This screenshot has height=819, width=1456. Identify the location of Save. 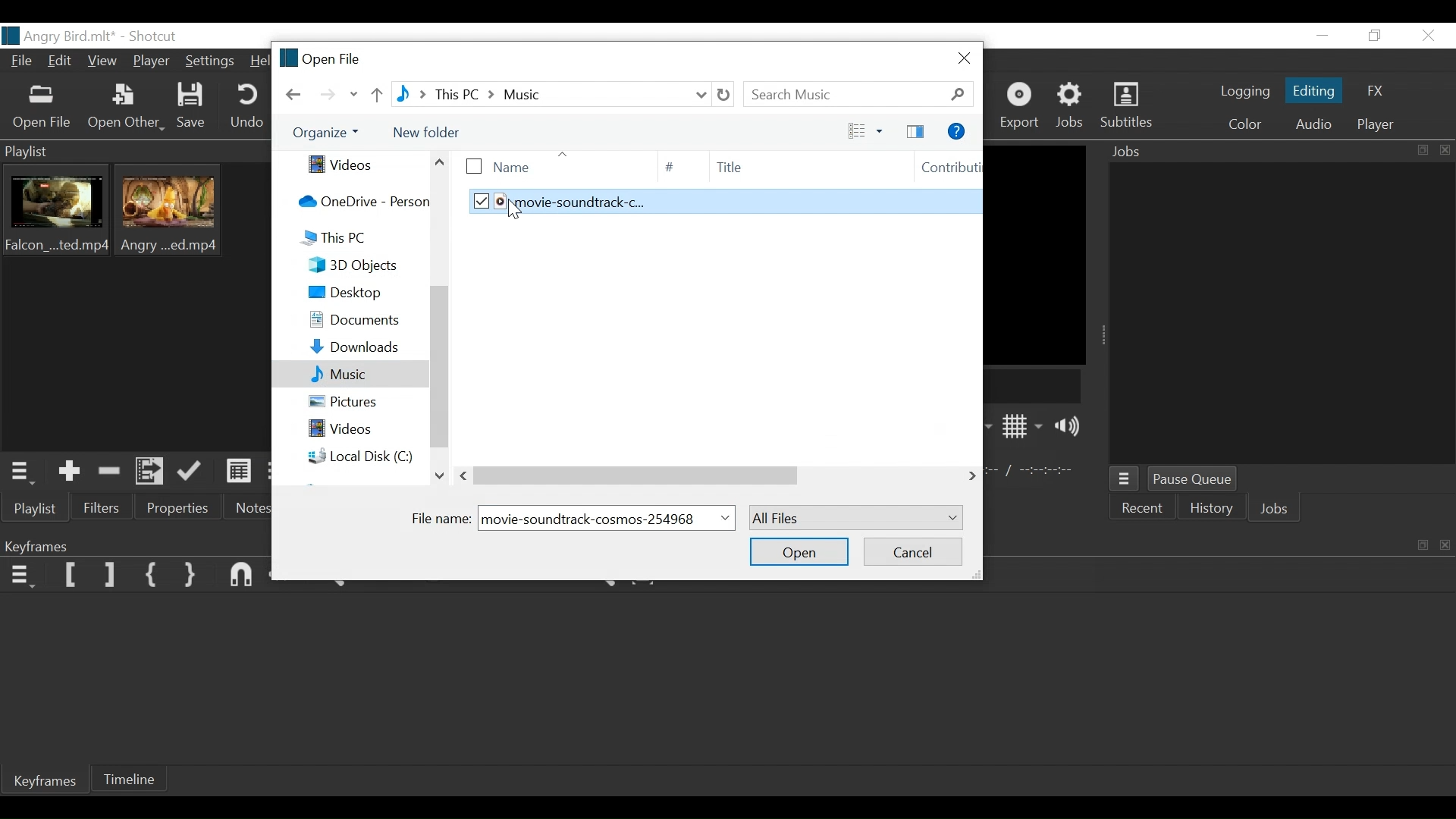
(194, 106).